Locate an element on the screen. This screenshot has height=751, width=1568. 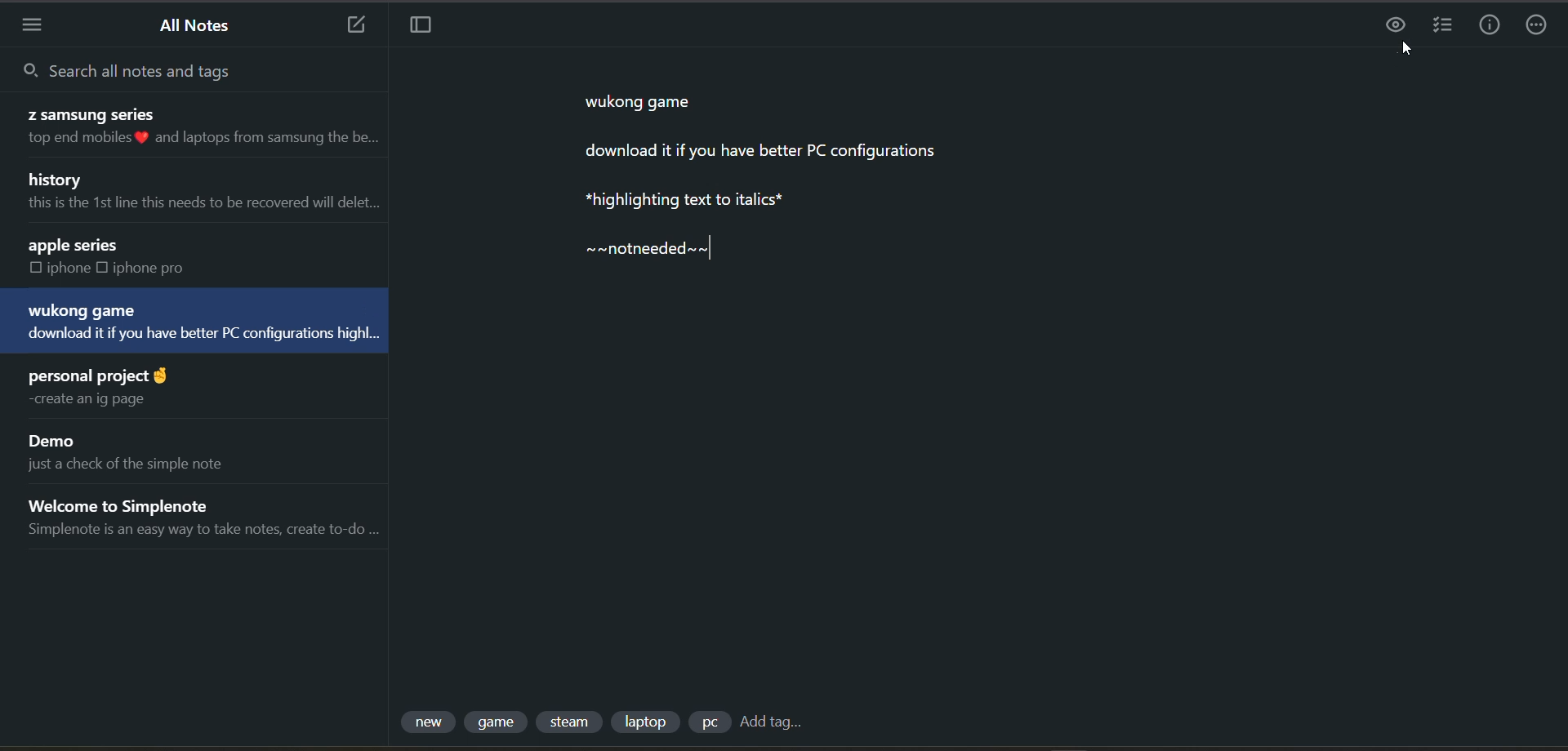
note title and preview is located at coordinates (105, 384).